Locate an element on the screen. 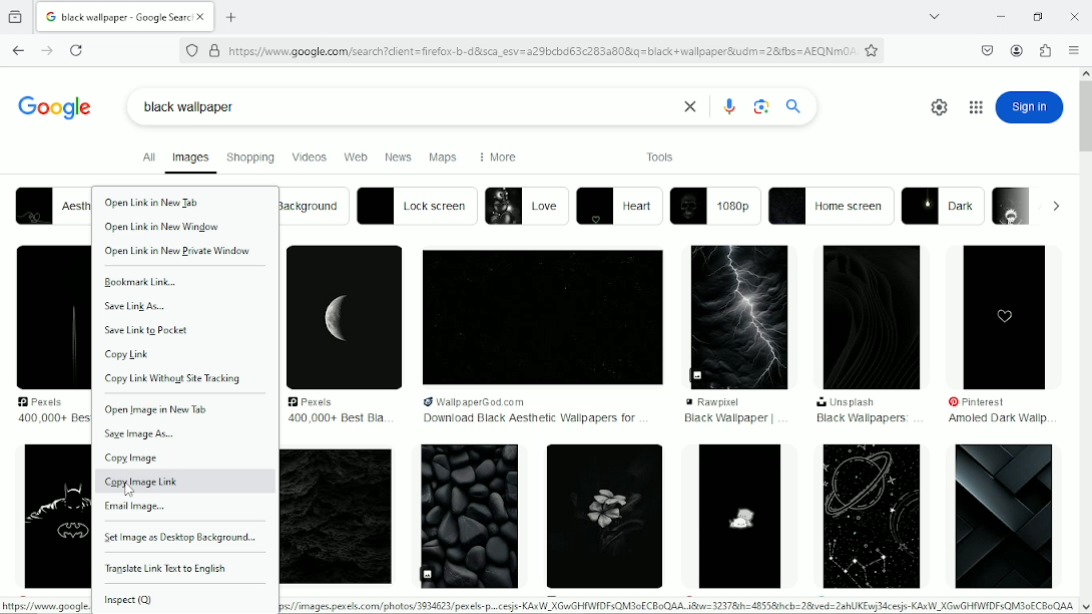  all is located at coordinates (146, 157).